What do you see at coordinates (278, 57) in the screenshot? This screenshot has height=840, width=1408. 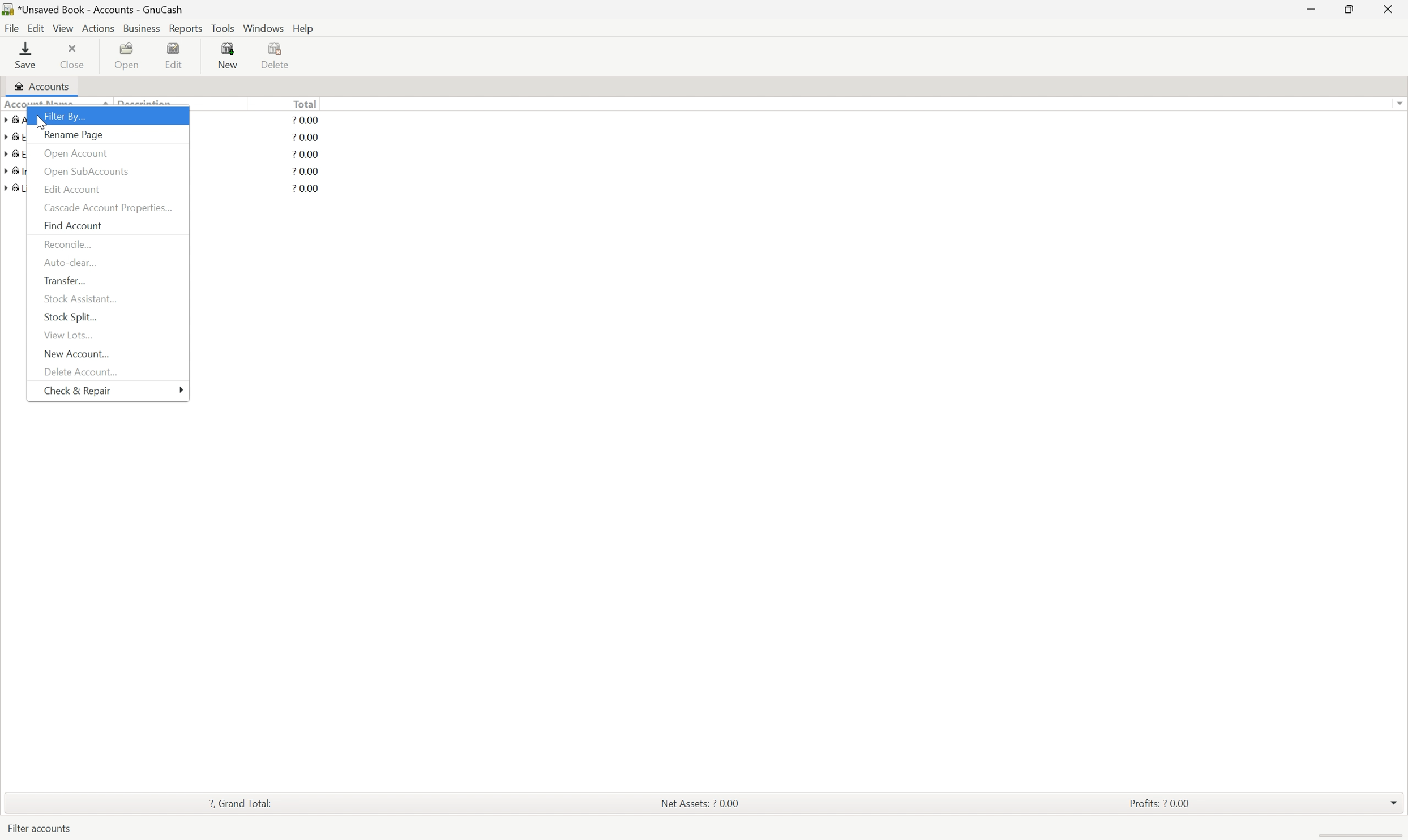 I see `Delete` at bounding box center [278, 57].